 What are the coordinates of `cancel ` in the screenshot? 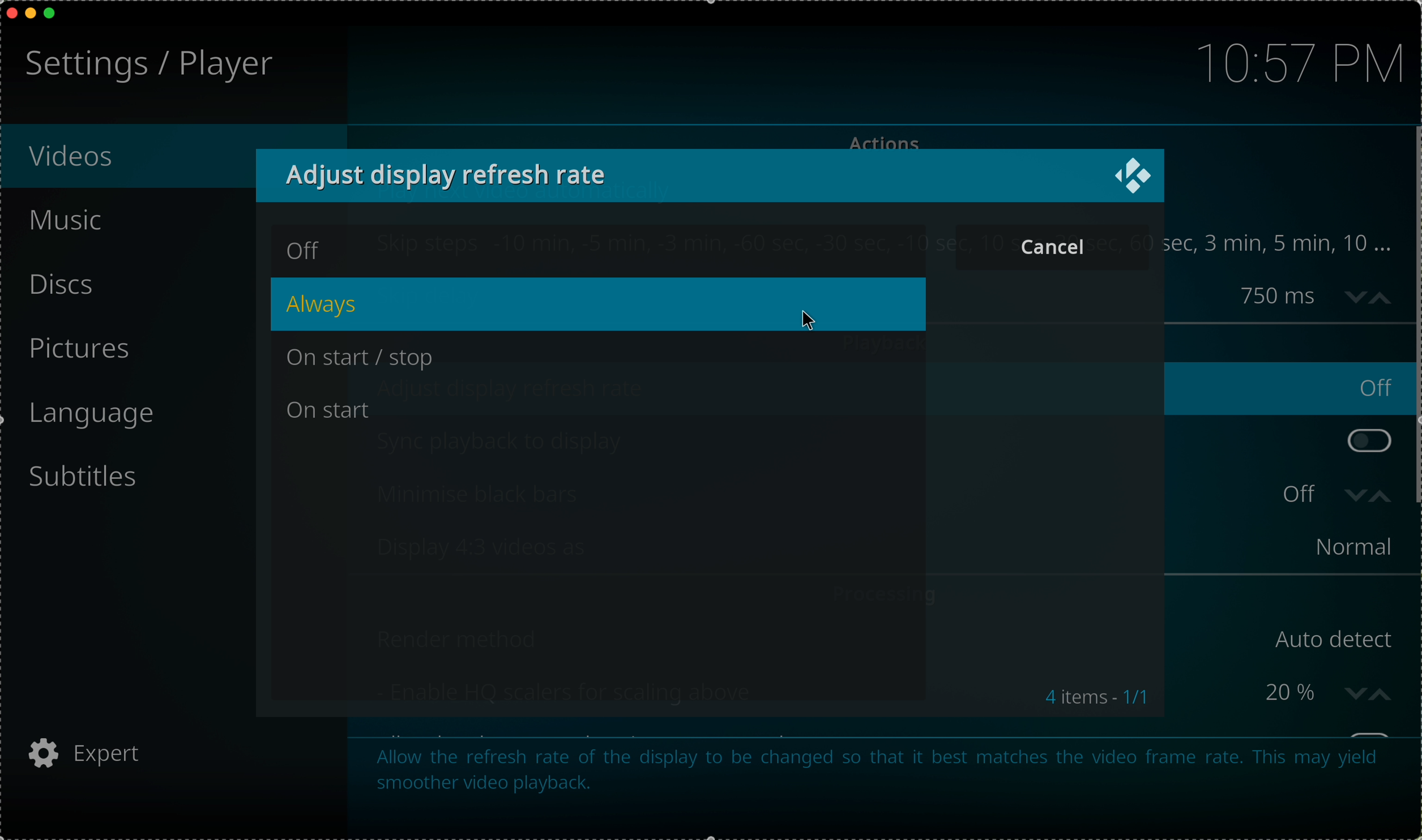 It's located at (1048, 246).